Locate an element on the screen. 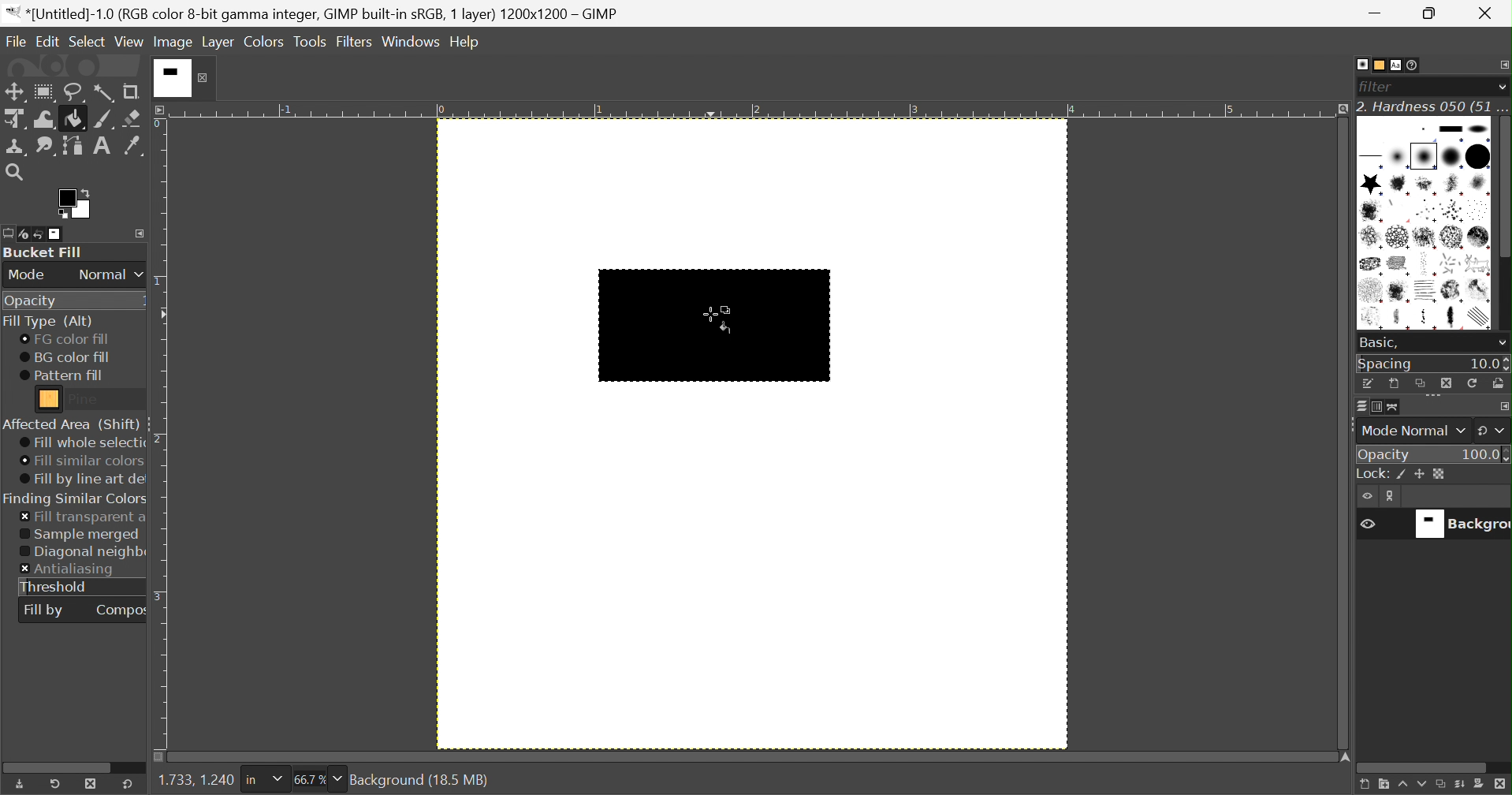 This screenshot has height=795, width=1512. Edit Layer is located at coordinates (1393, 496).